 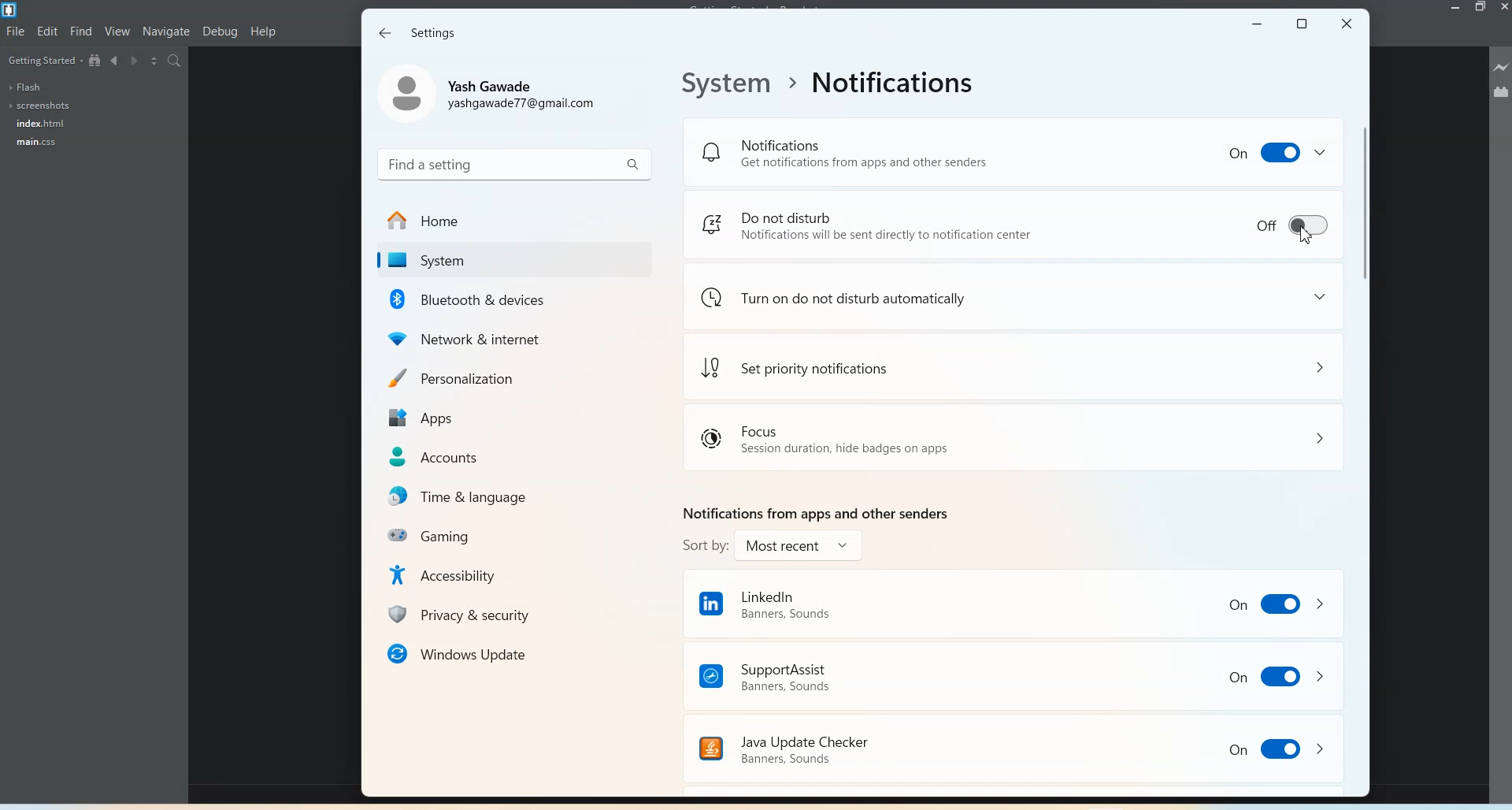 What do you see at coordinates (513, 163) in the screenshot?
I see `Search bar` at bounding box center [513, 163].